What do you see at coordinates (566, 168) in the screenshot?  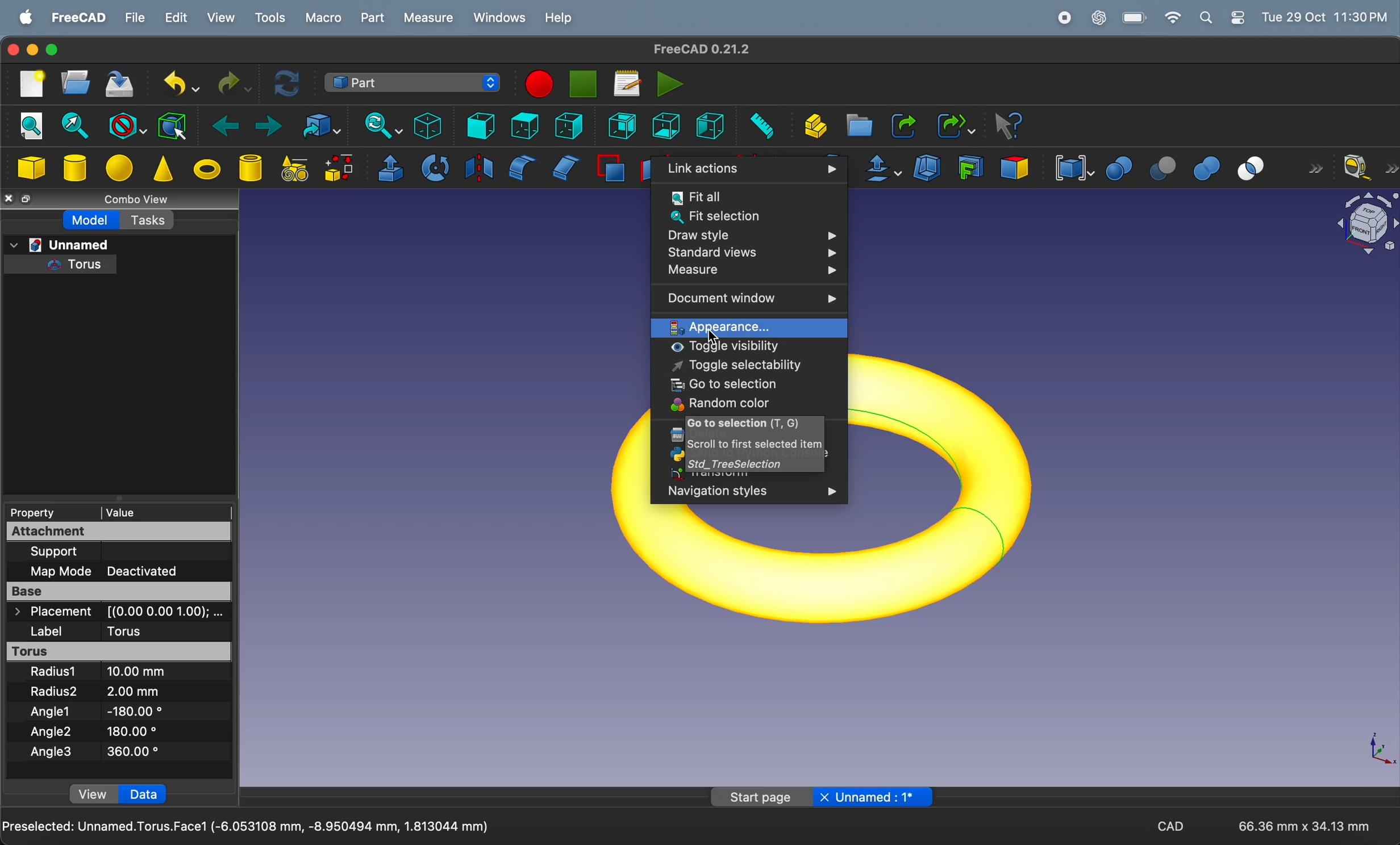 I see `chamfer` at bounding box center [566, 168].